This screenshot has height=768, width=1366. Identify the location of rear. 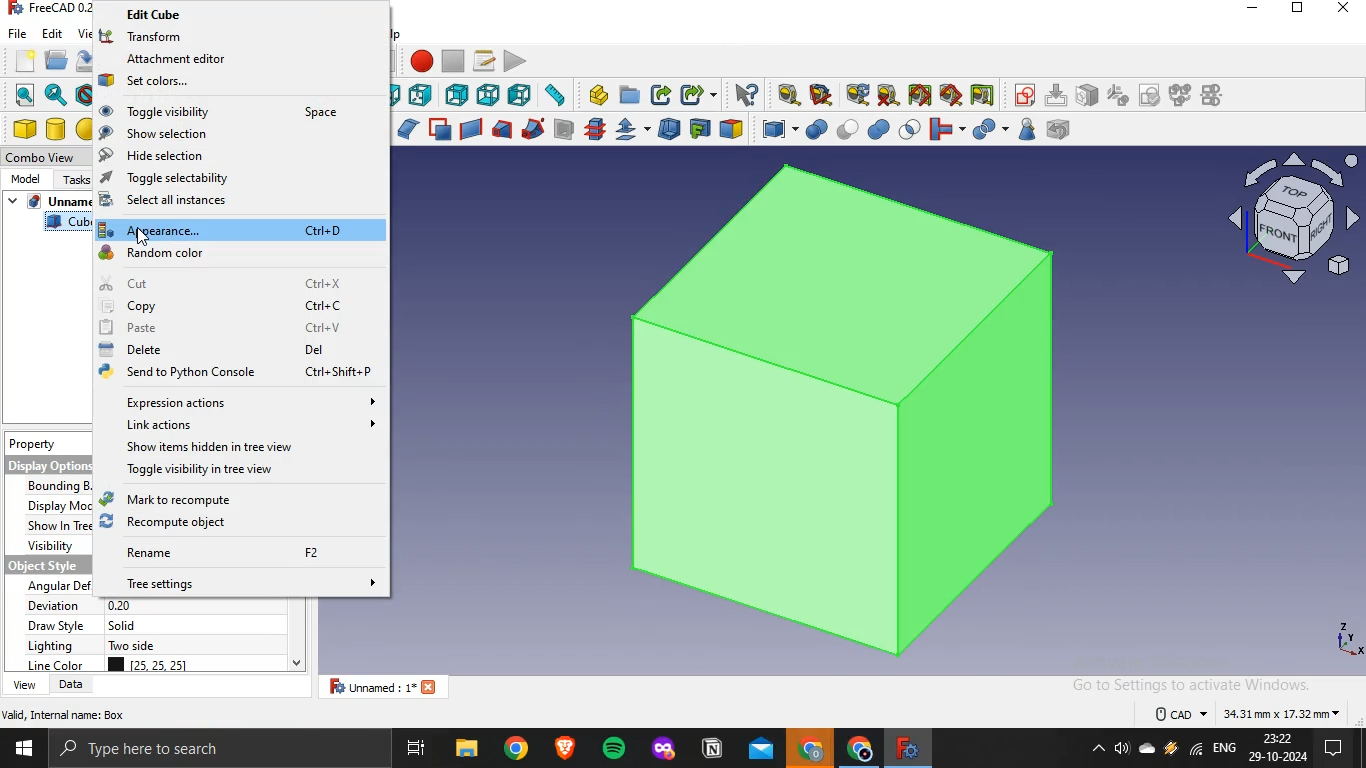
(458, 93).